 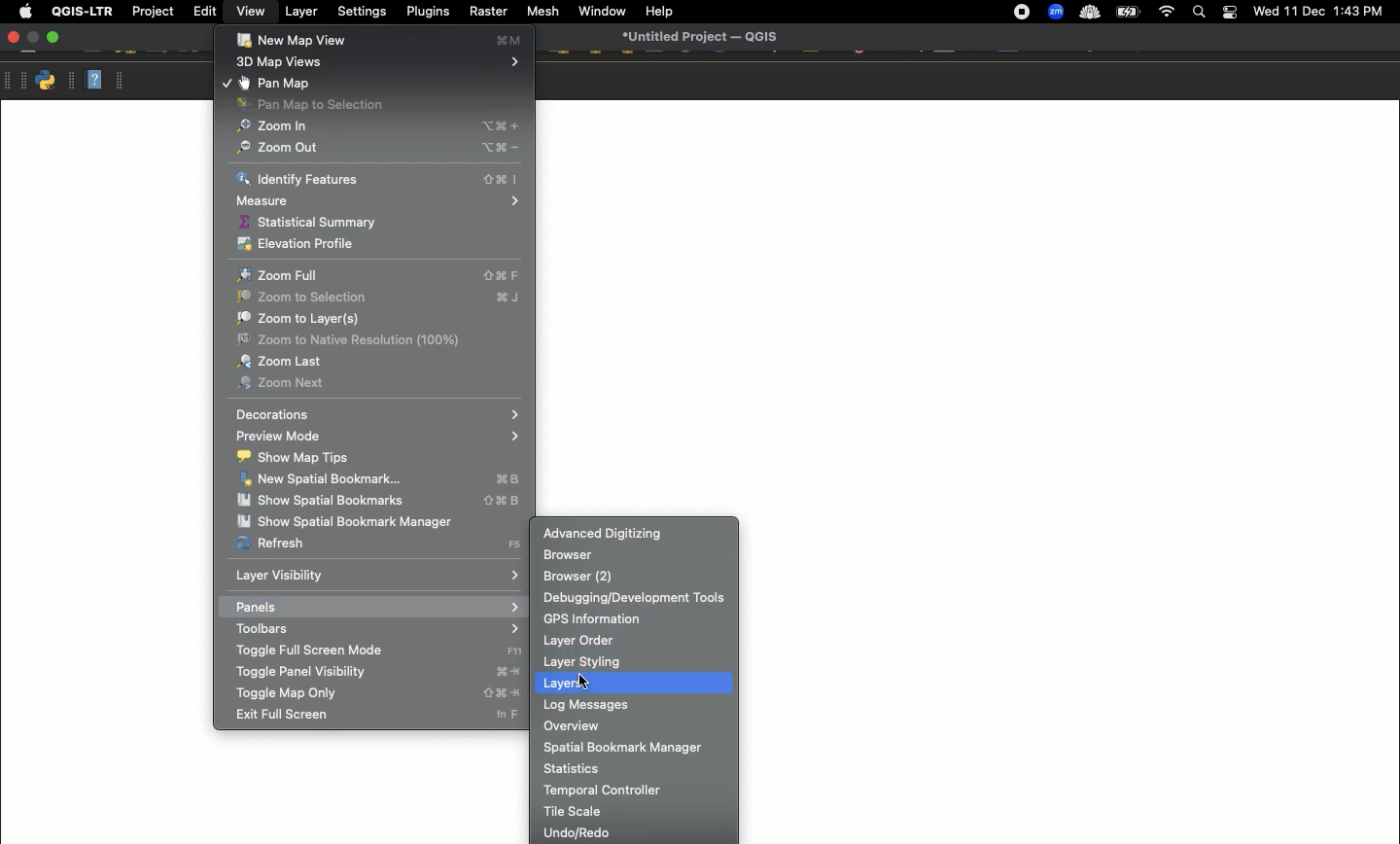 I want to click on Toggle panel visibility, so click(x=376, y=672).